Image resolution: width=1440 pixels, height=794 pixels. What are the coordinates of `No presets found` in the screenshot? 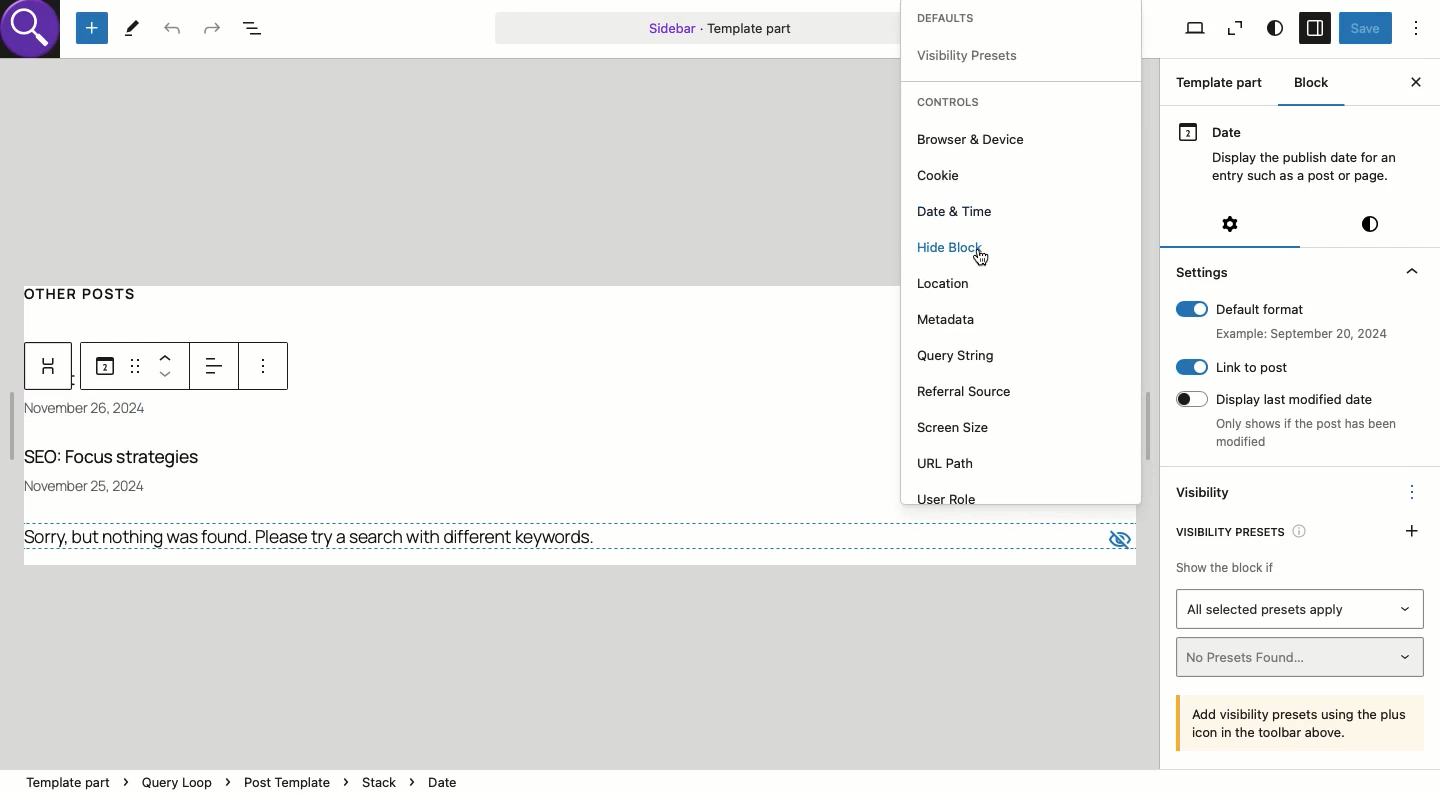 It's located at (1302, 657).